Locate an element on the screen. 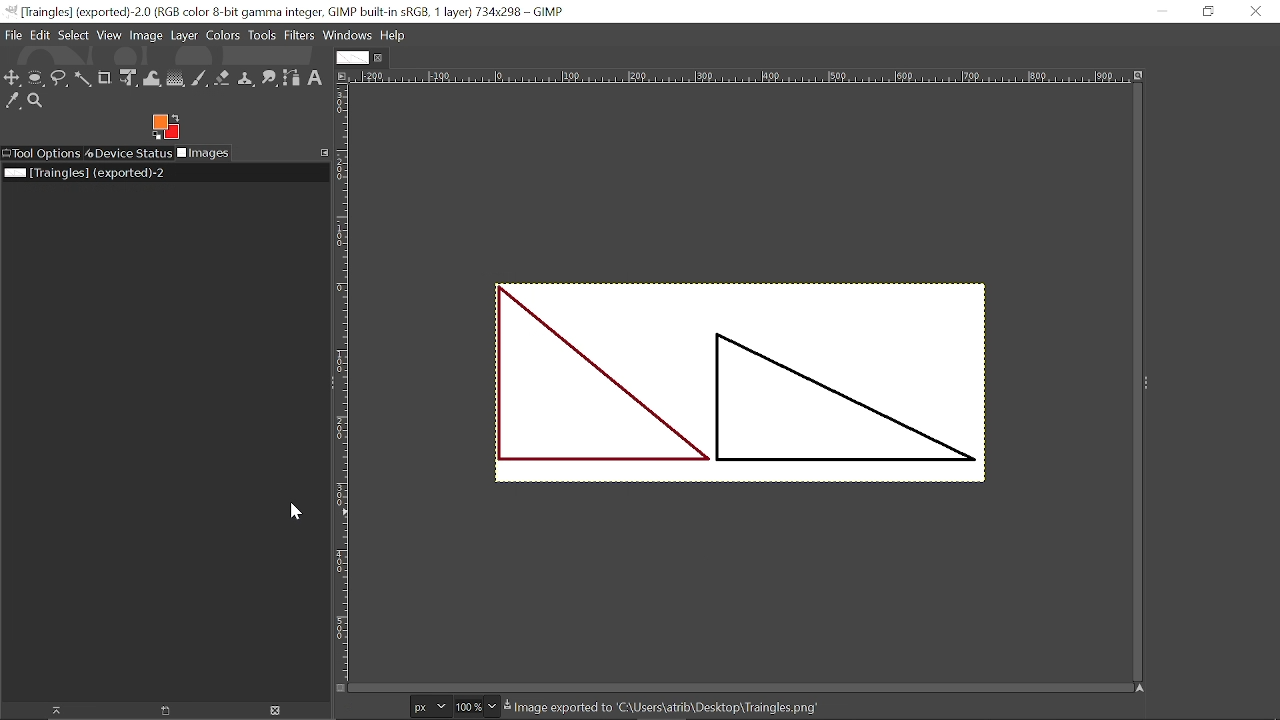 The height and width of the screenshot is (720, 1280). File is located at coordinates (13, 35).